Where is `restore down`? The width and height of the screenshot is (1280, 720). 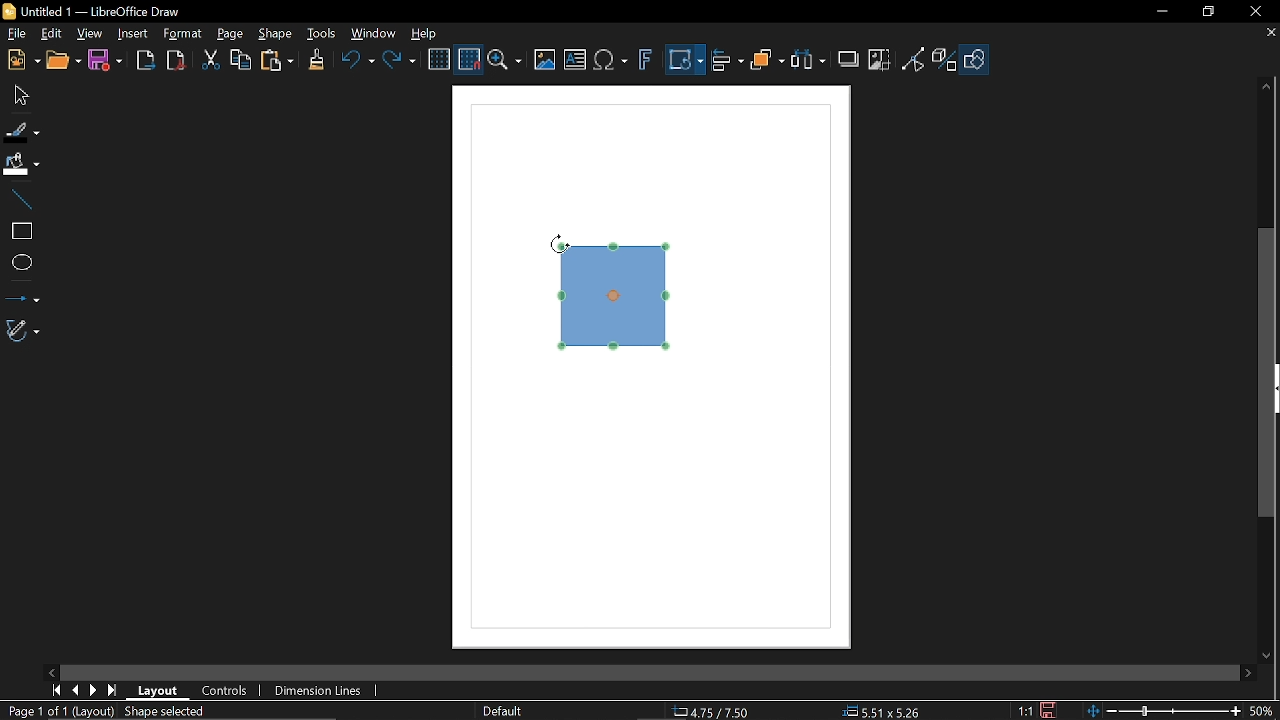
restore down is located at coordinates (1209, 13).